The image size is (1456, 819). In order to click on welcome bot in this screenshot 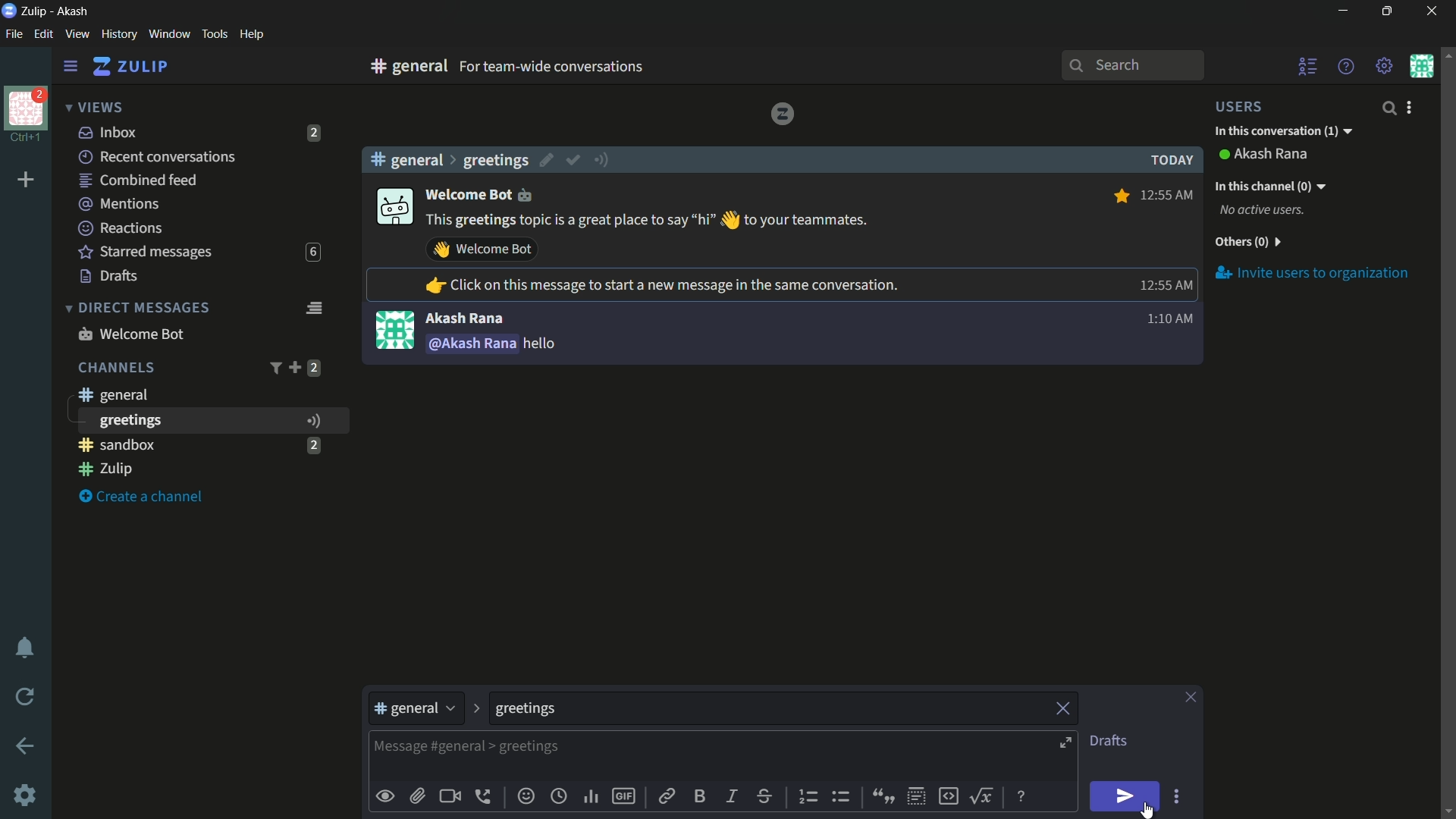, I will do `click(130, 334)`.